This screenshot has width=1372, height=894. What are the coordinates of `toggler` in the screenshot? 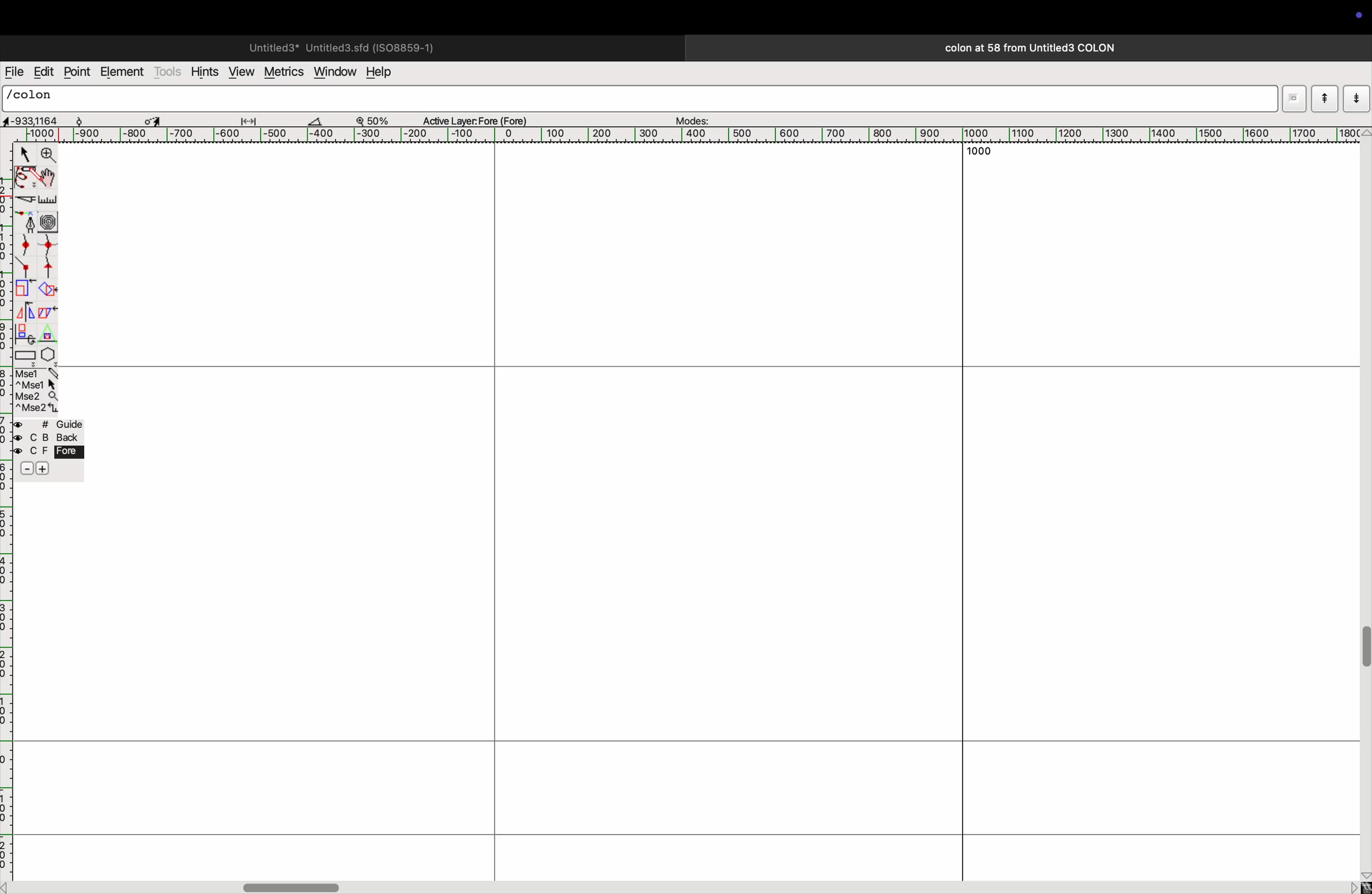 It's located at (291, 887).